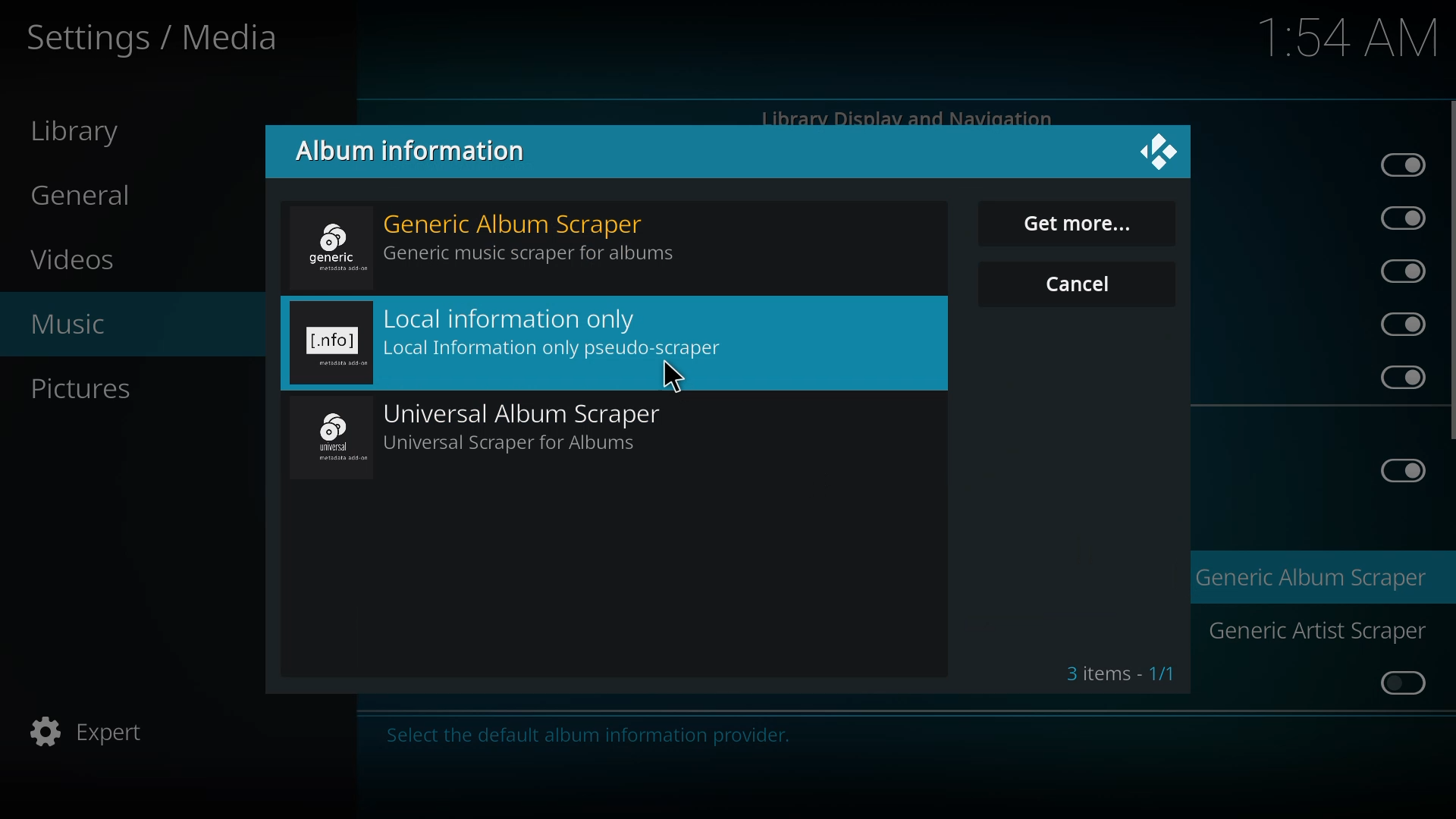 The height and width of the screenshot is (819, 1456). What do you see at coordinates (414, 152) in the screenshot?
I see `album info` at bounding box center [414, 152].